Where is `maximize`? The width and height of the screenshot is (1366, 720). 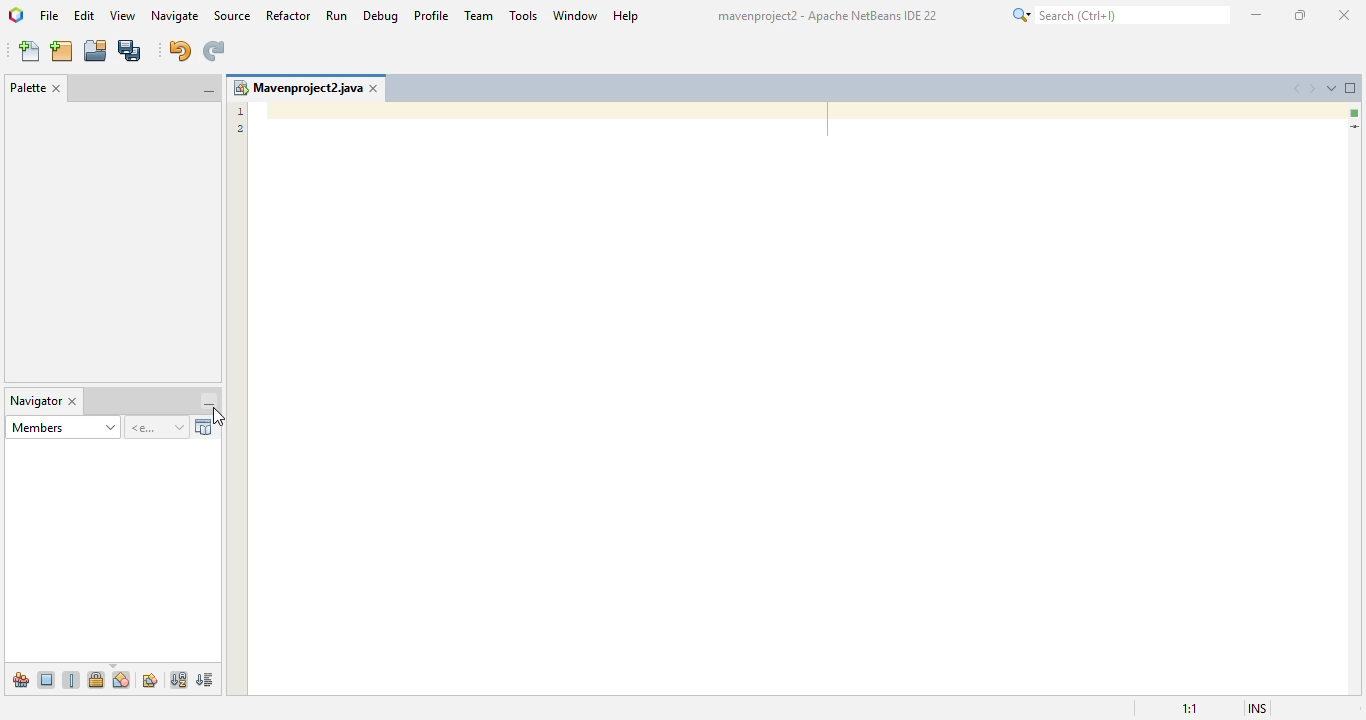 maximize is located at coordinates (1300, 15).